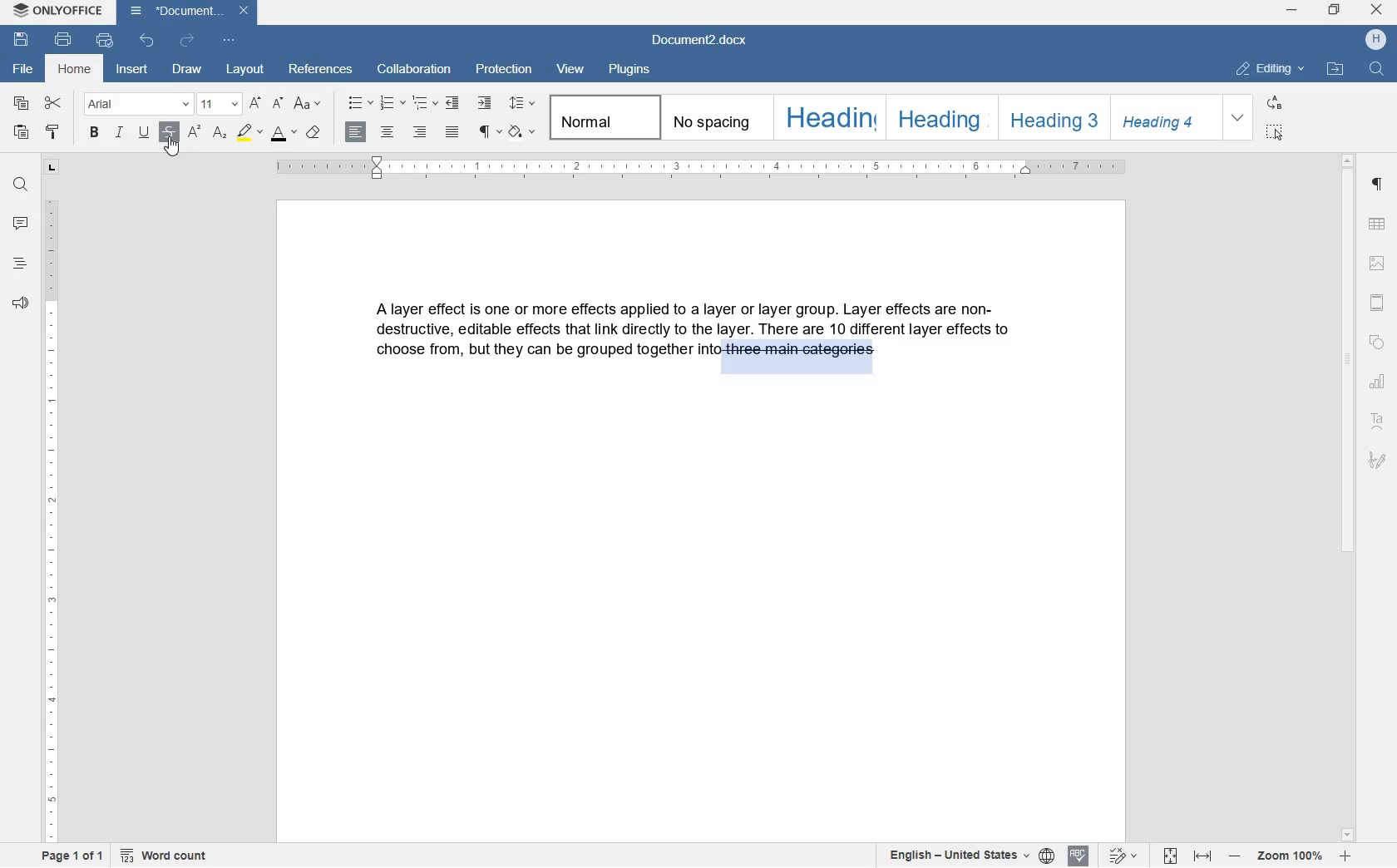  What do you see at coordinates (230, 43) in the screenshot?
I see `customize quick access toolbar` at bounding box center [230, 43].